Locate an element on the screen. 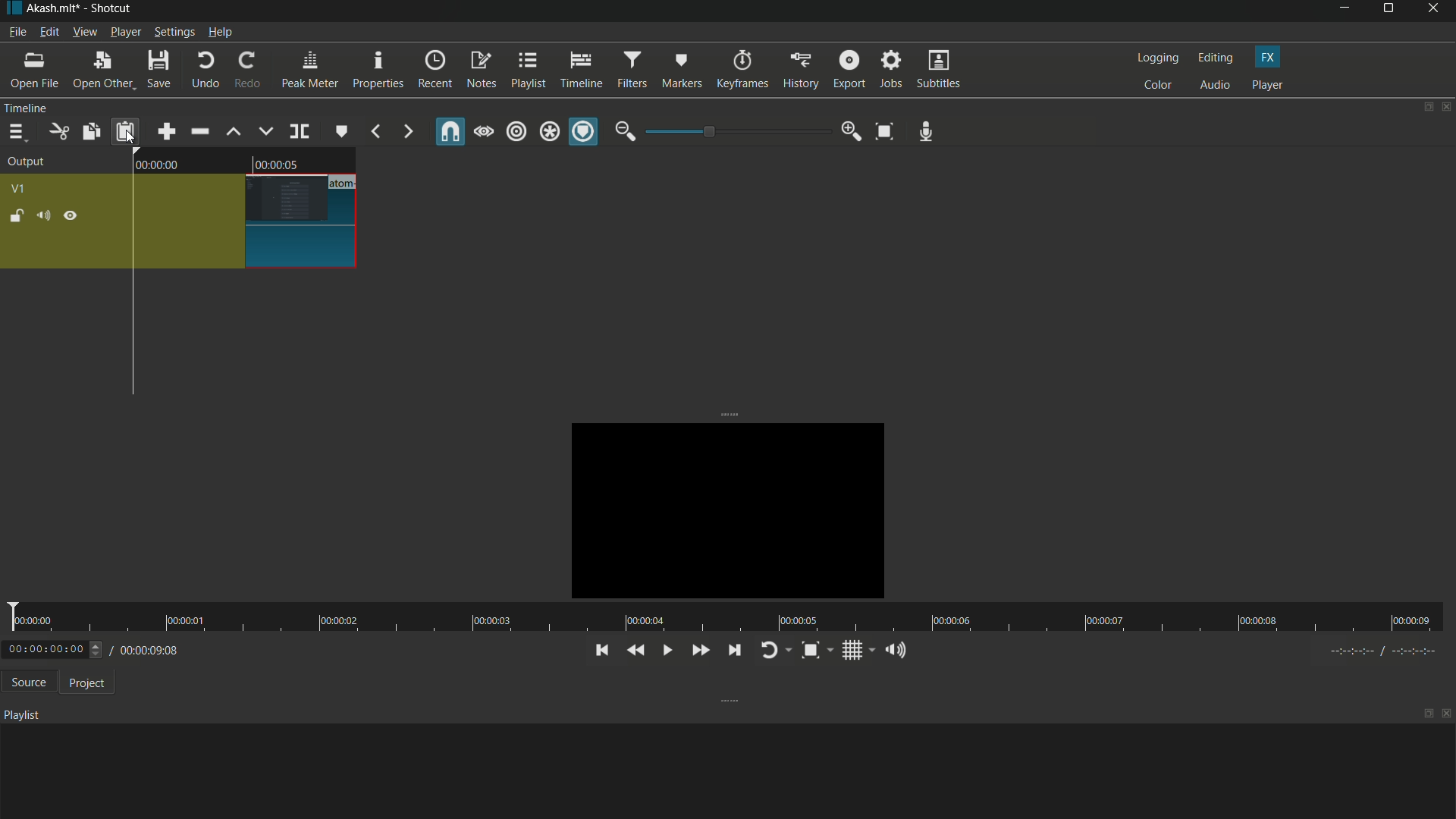  markers is located at coordinates (683, 70).